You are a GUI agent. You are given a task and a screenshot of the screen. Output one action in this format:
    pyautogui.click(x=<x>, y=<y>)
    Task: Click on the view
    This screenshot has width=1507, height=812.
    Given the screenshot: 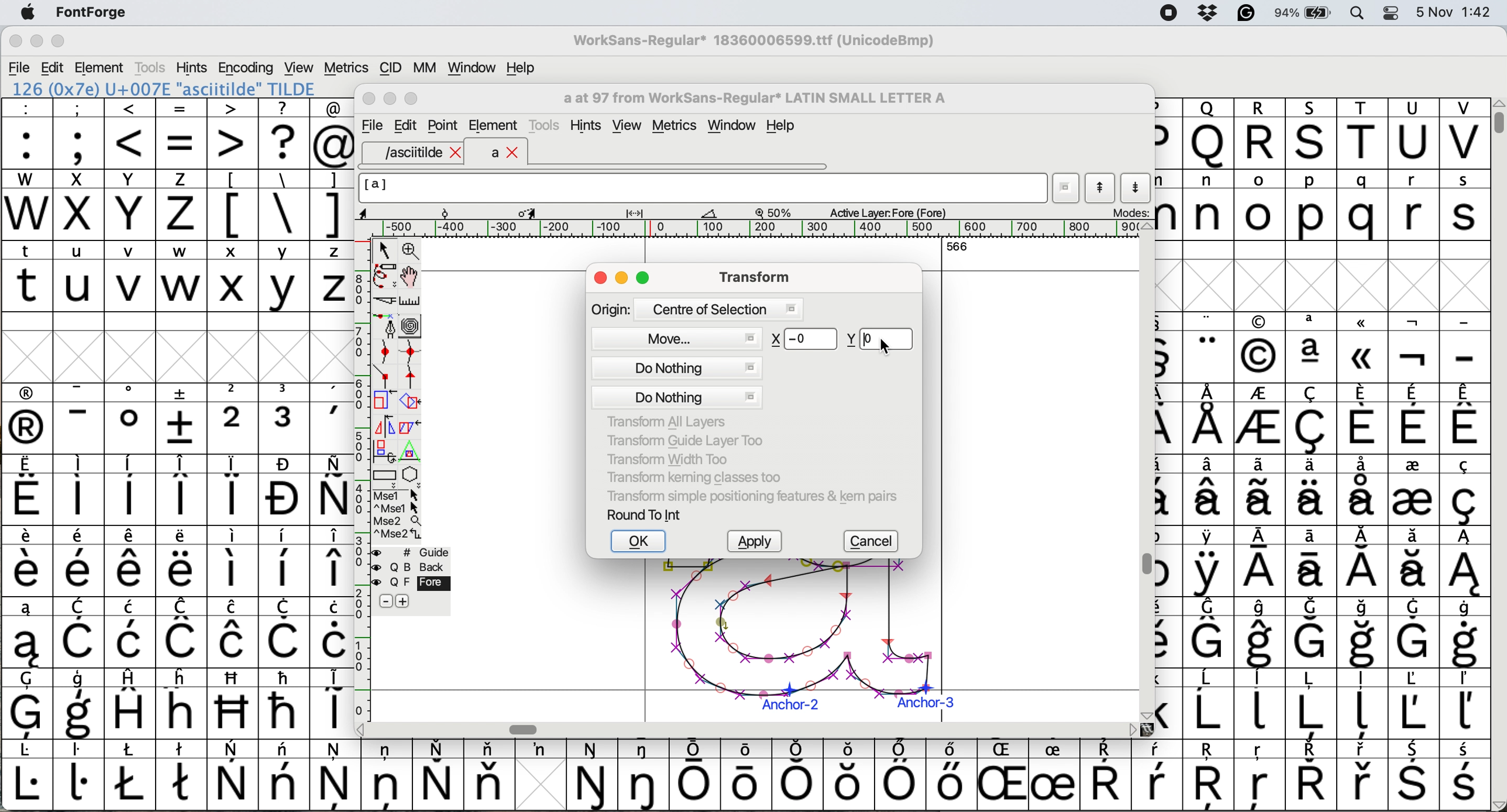 What is the action you would take?
    pyautogui.click(x=297, y=66)
    